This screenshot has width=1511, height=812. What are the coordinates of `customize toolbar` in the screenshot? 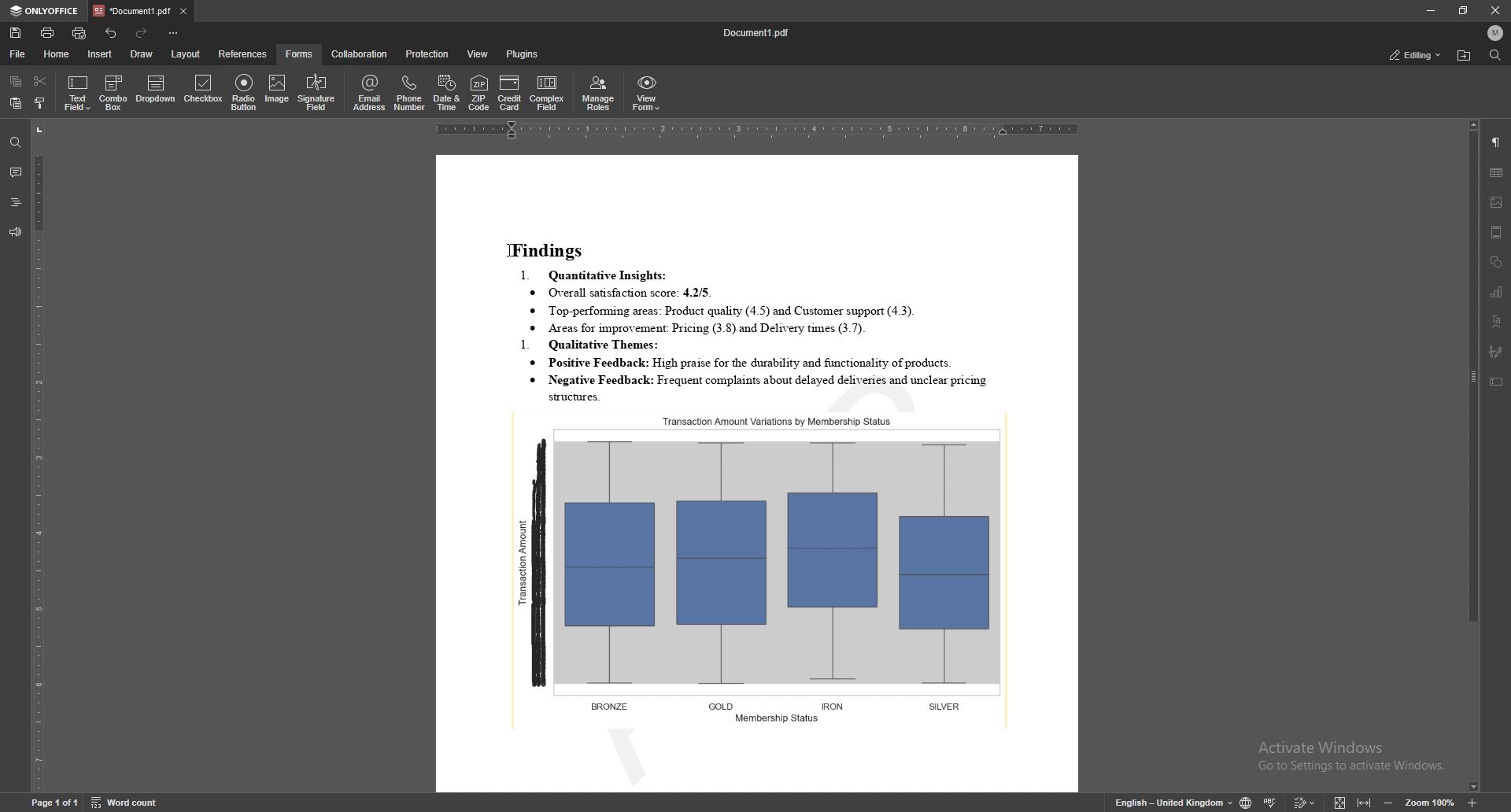 It's located at (175, 34).